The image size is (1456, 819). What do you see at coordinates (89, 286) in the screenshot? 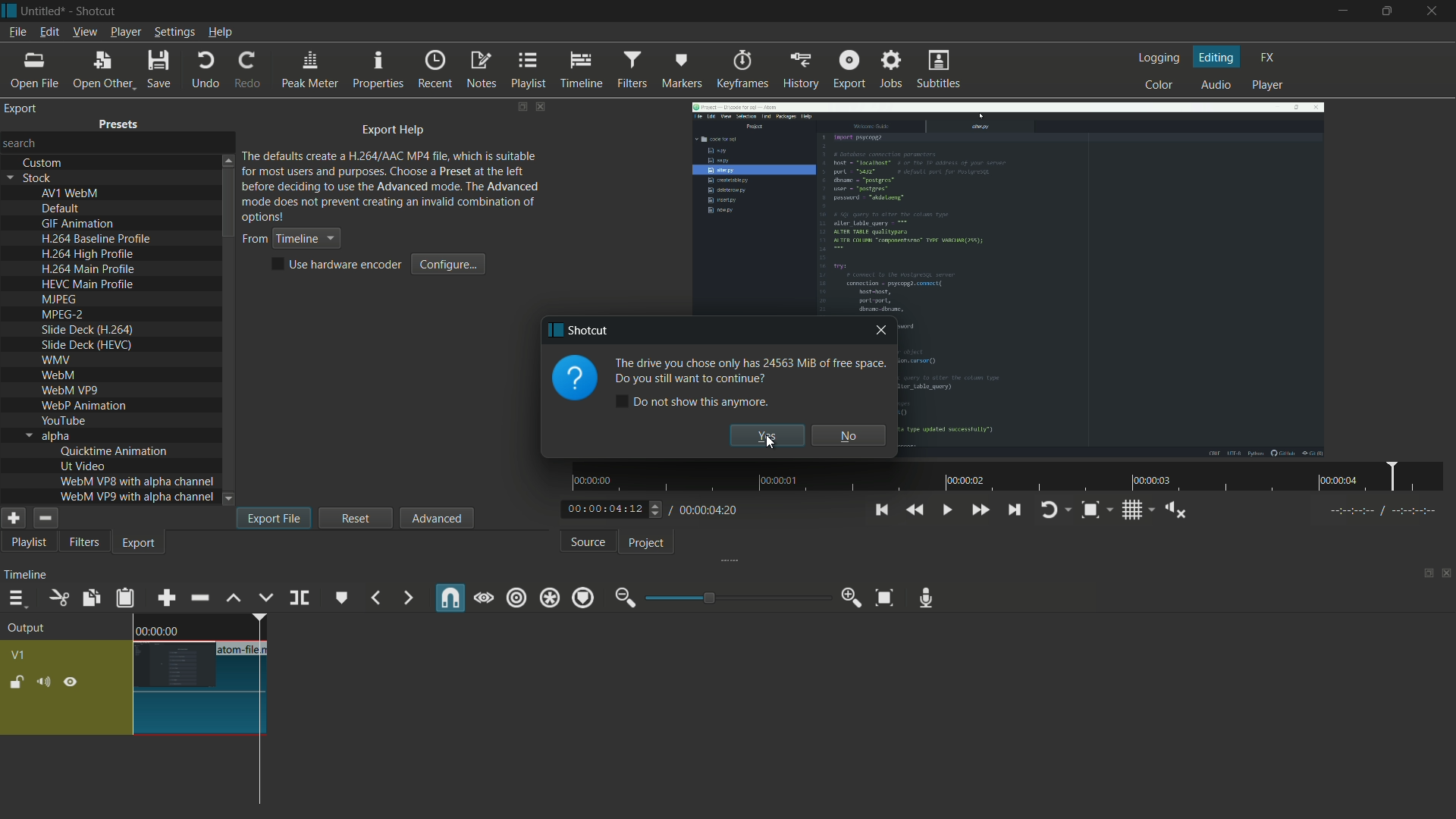
I see `hevc main profile` at bounding box center [89, 286].